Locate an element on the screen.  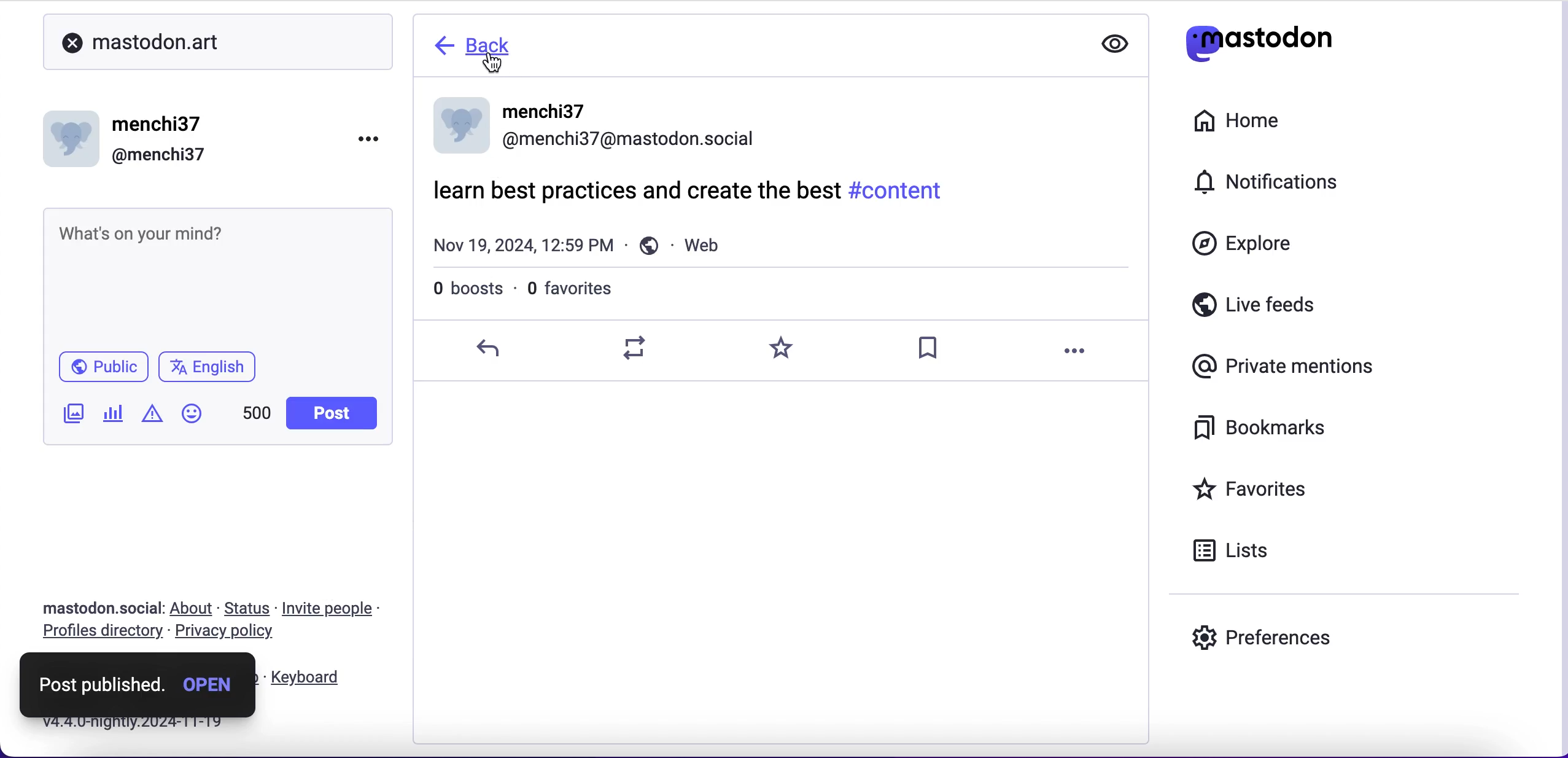
display picture is located at coordinates (74, 135).